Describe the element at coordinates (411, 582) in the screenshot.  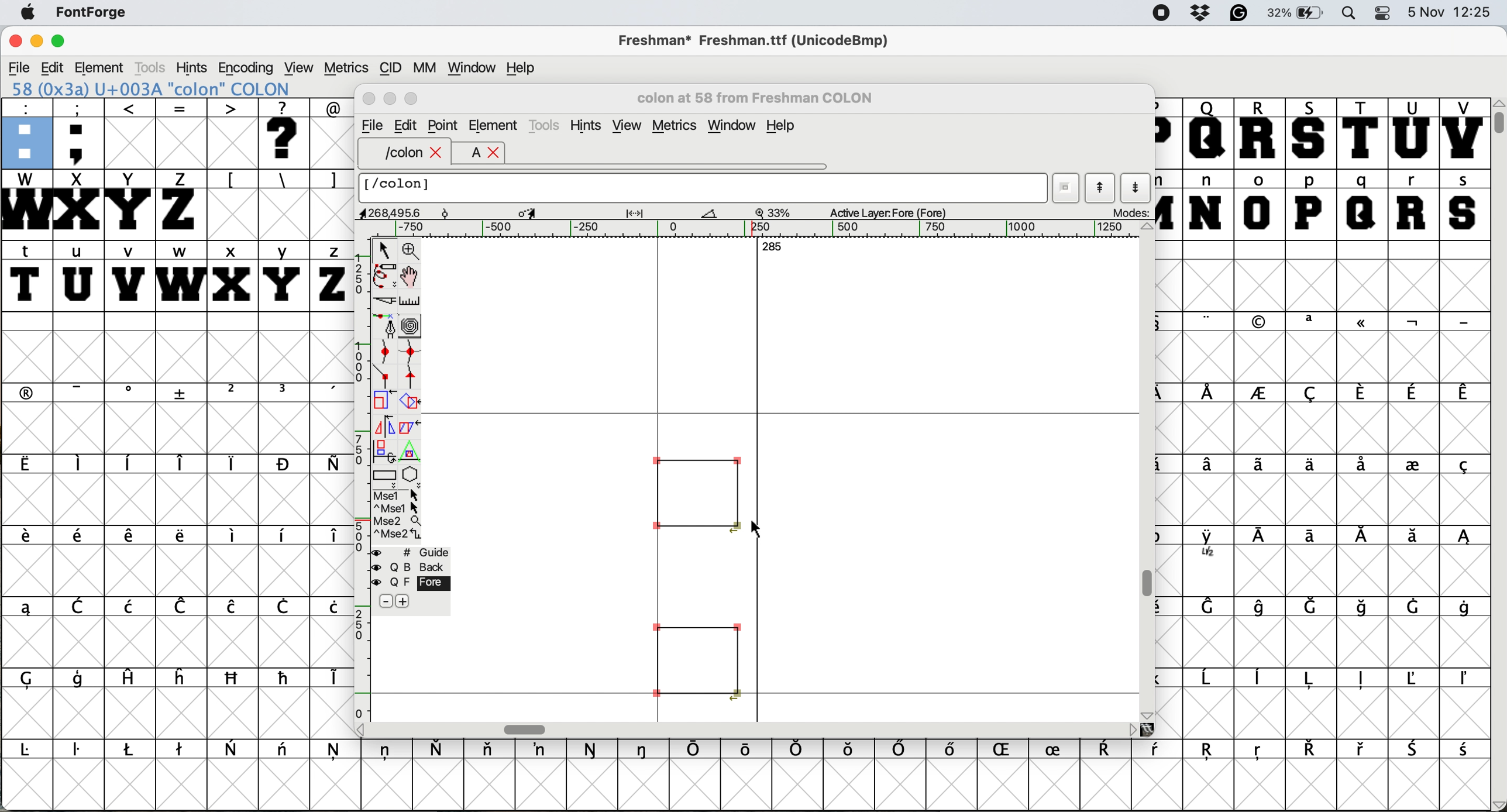
I see `fore` at that location.